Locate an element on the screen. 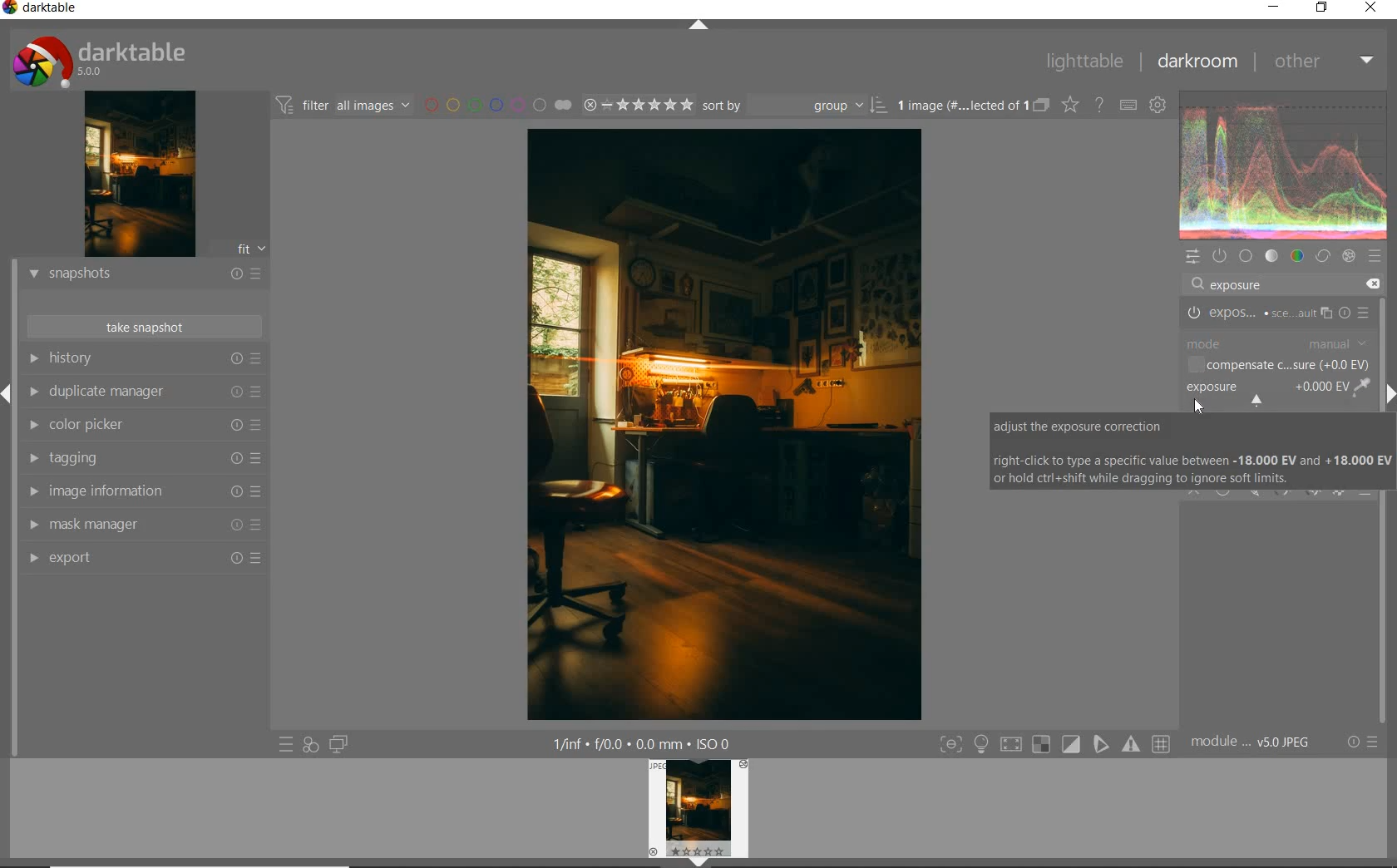  presets is located at coordinates (1375, 257).